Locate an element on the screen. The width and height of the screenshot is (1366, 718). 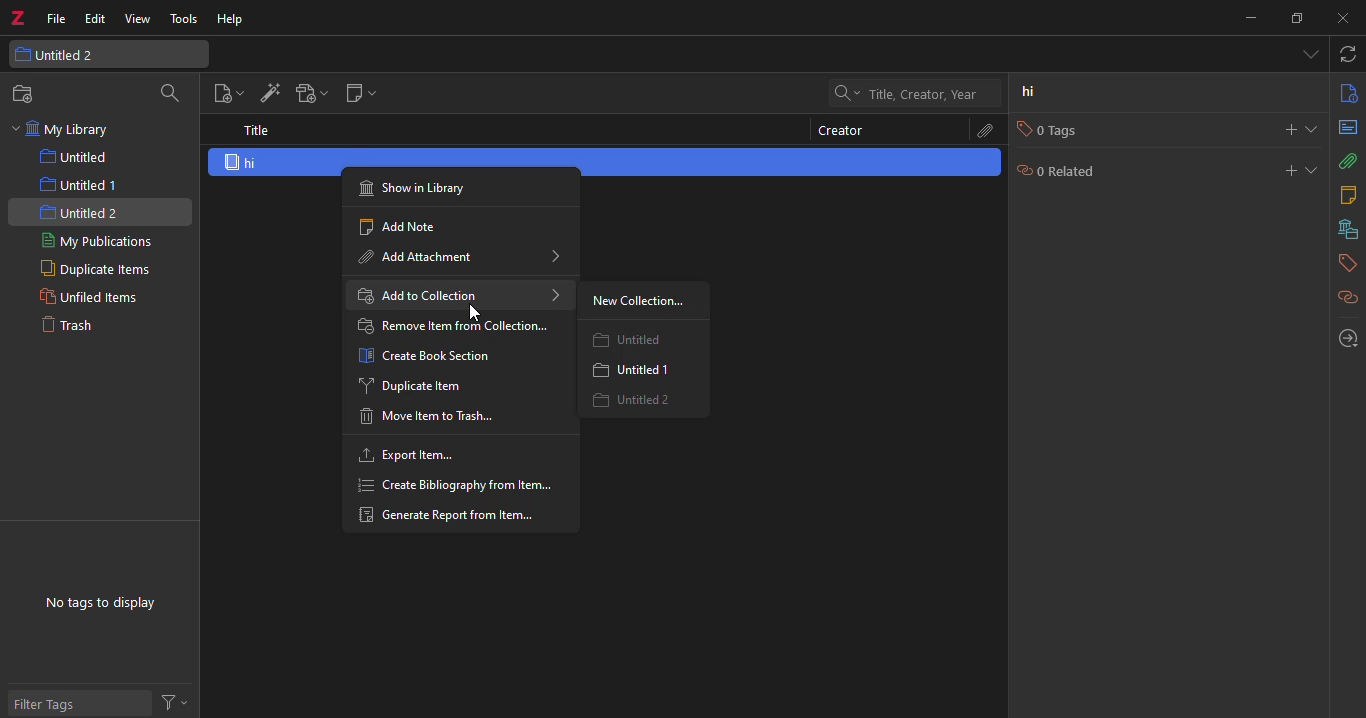
untitled 2 is located at coordinates (62, 55).